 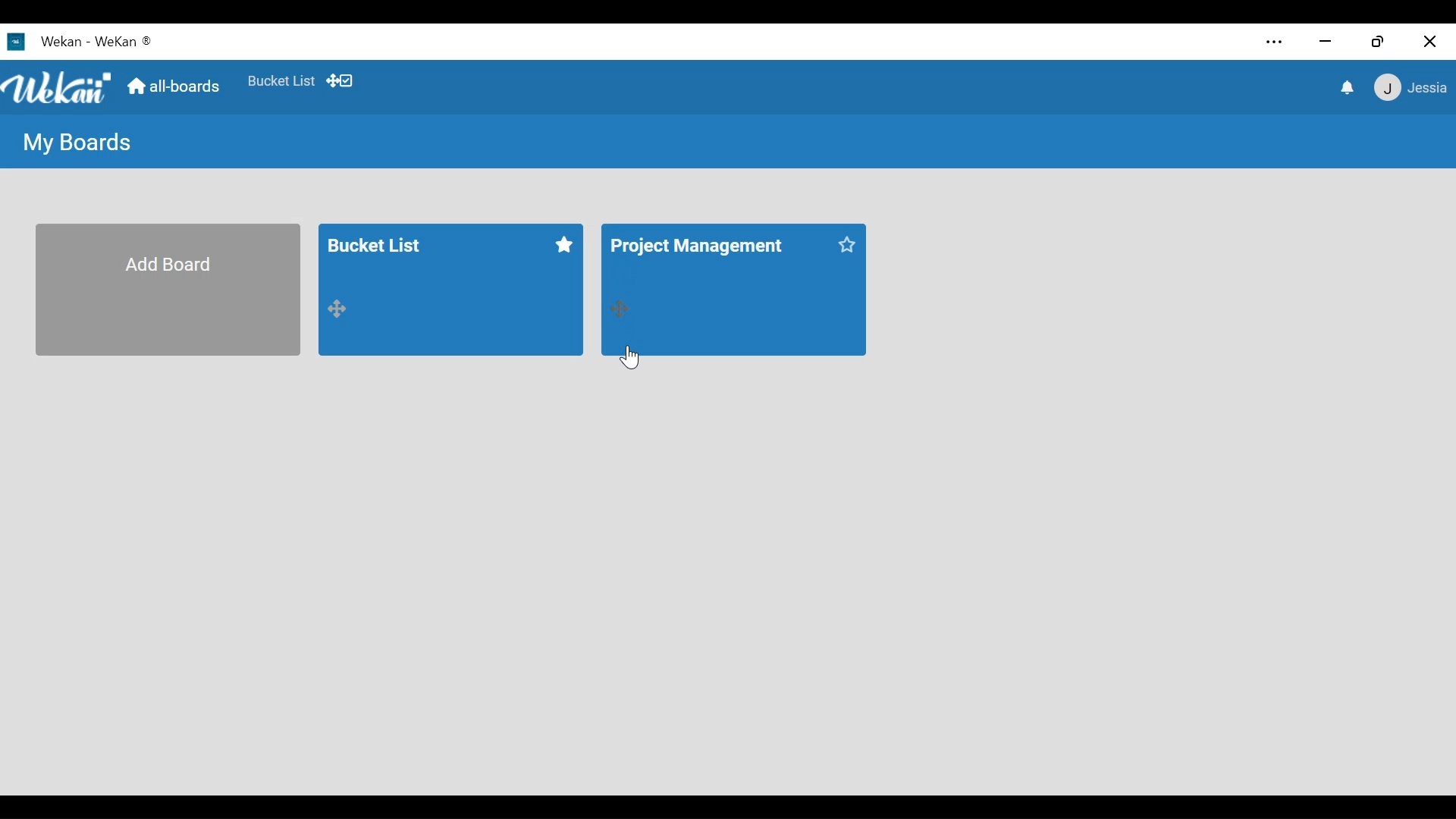 What do you see at coordinates (1273, 42) in the screenshot?
I see `settings and more` at bounding box center [1273, 42].